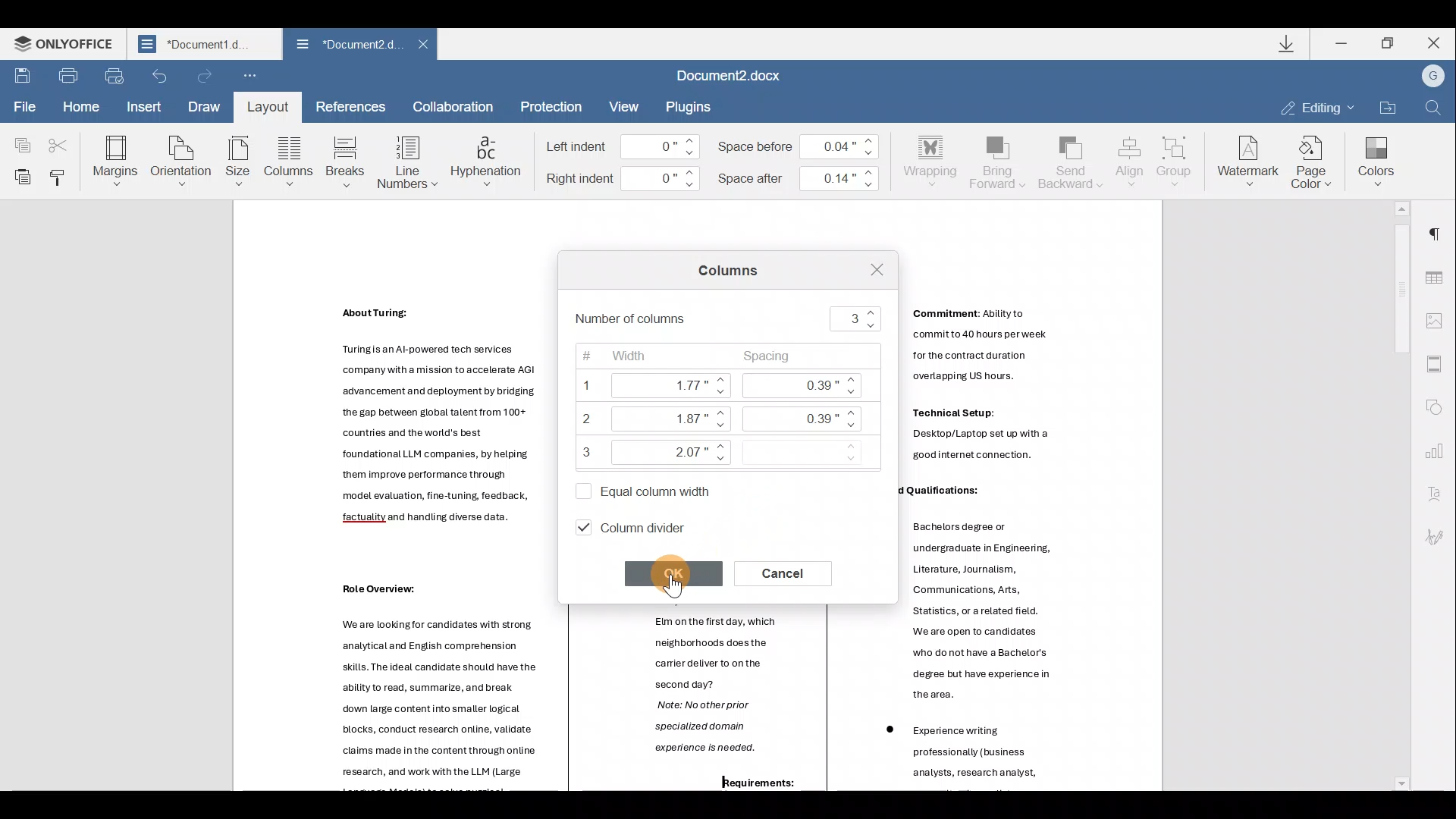 Image resolution: width=1456 pixels, height=819 pixels. I want to click on Margins, so click(114, 159).